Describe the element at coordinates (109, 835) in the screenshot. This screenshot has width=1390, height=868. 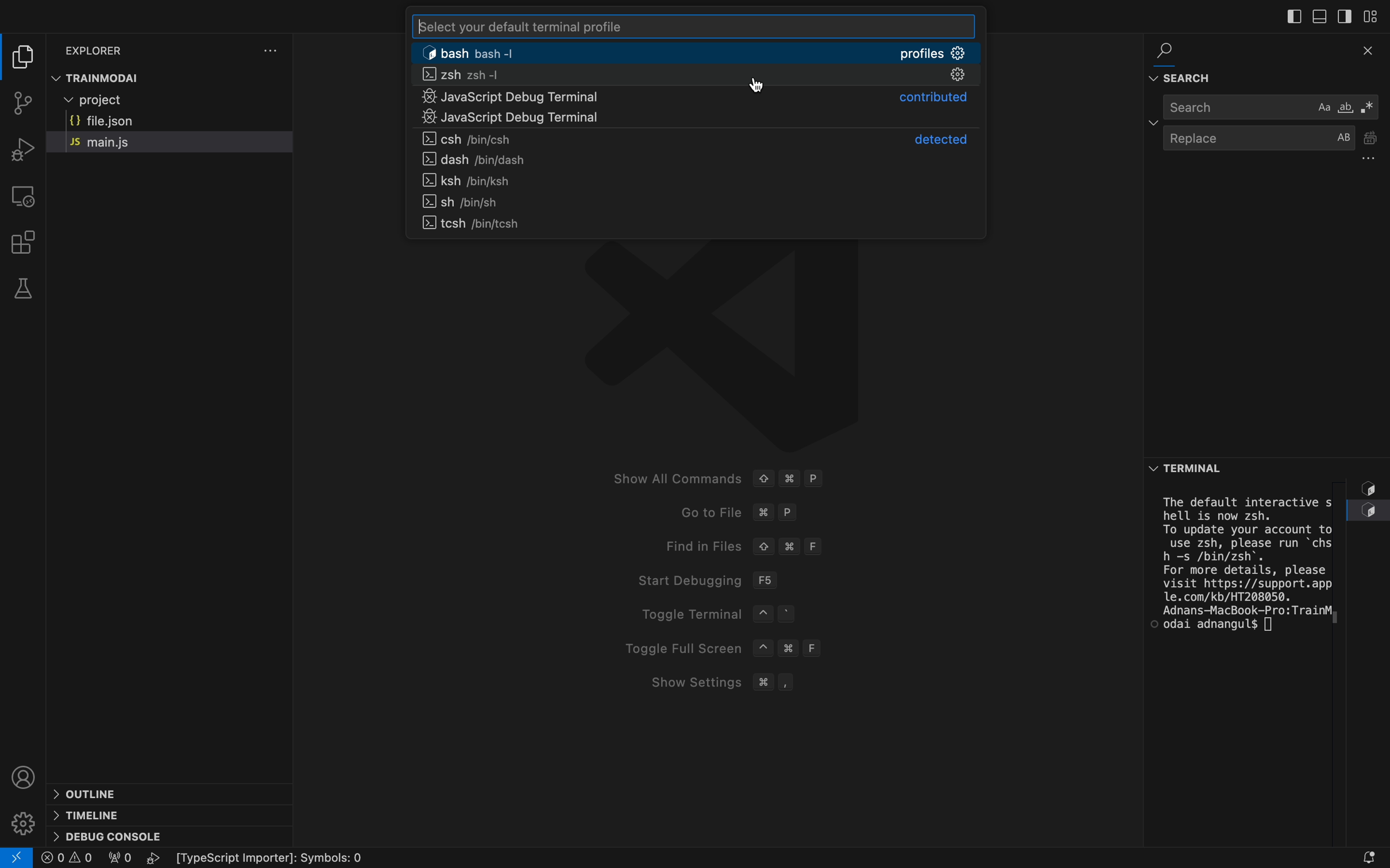
I see `debug` at that location.